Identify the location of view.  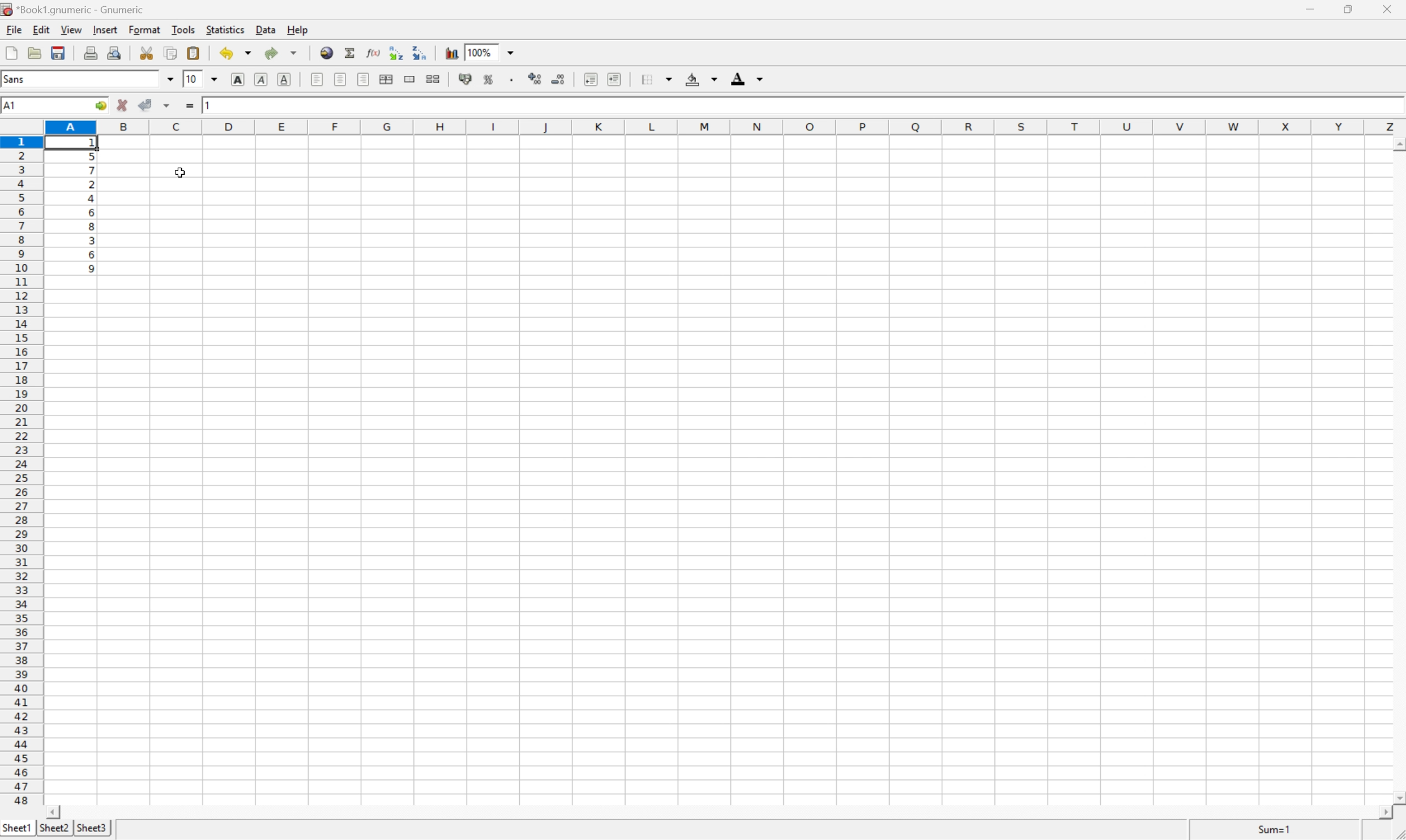
(71, 29).